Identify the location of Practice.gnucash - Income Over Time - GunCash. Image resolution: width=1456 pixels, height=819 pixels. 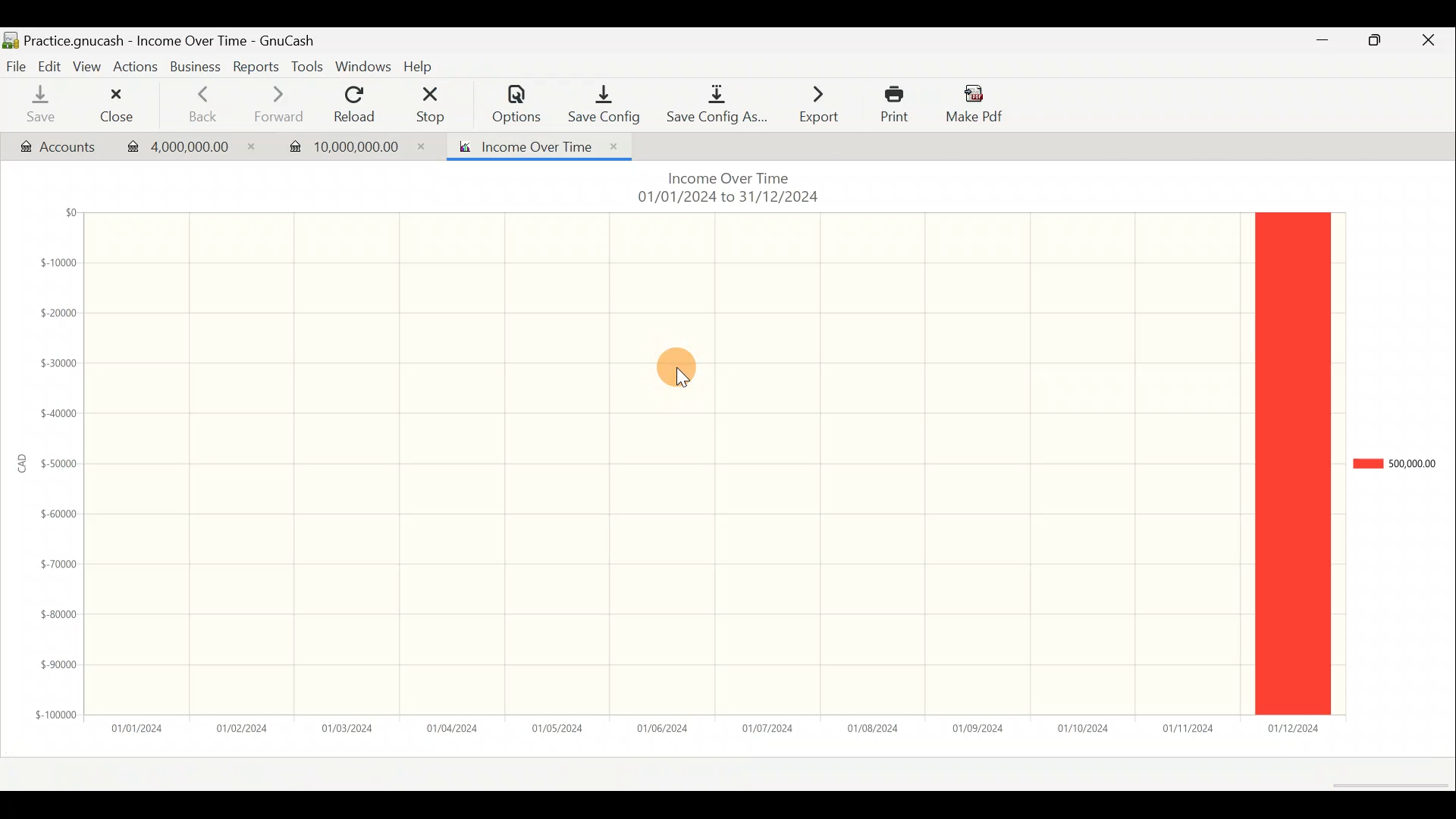
(165, 39).